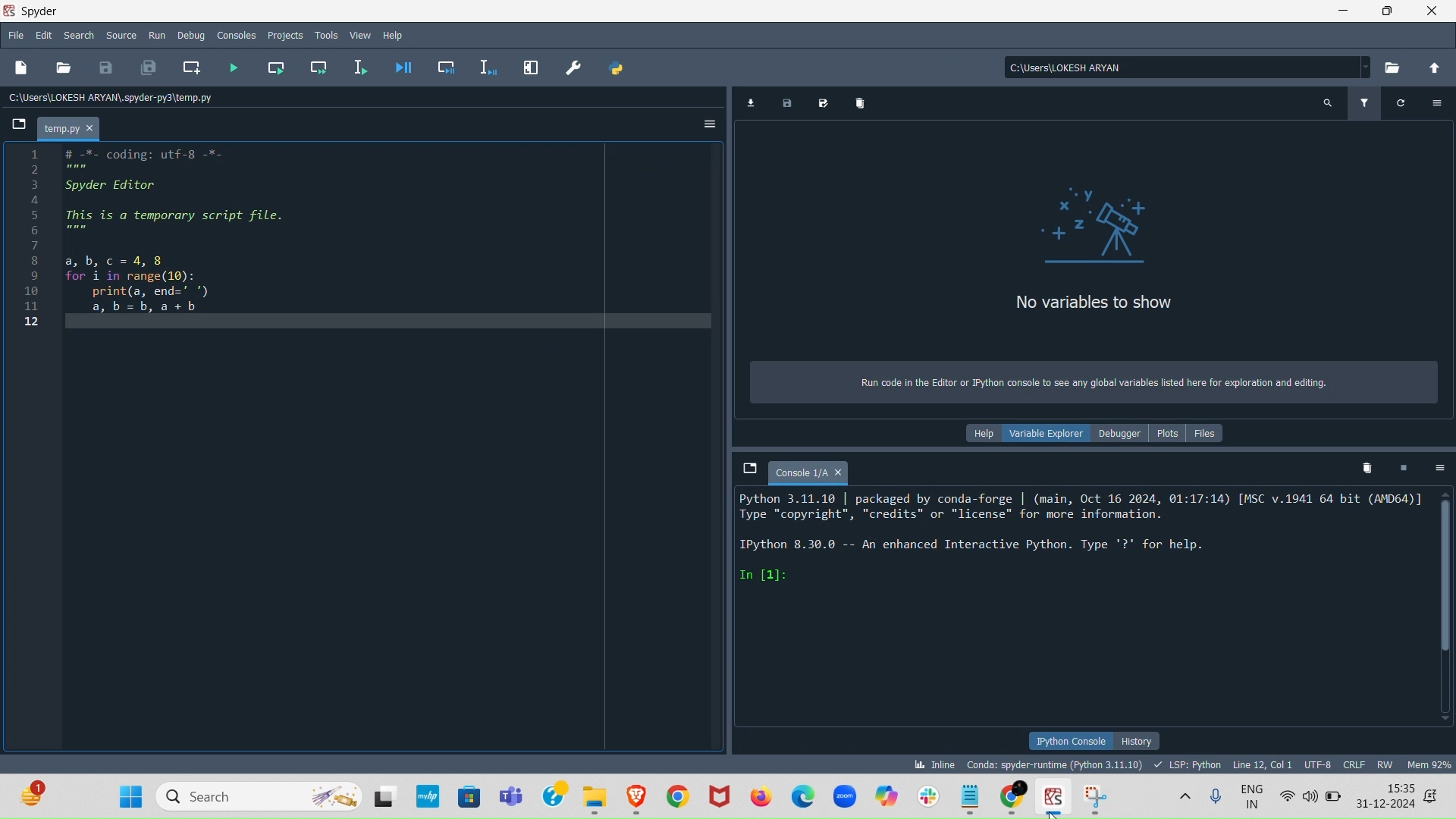  I want to click on PYTHONPATH manager, so click(614, 67).